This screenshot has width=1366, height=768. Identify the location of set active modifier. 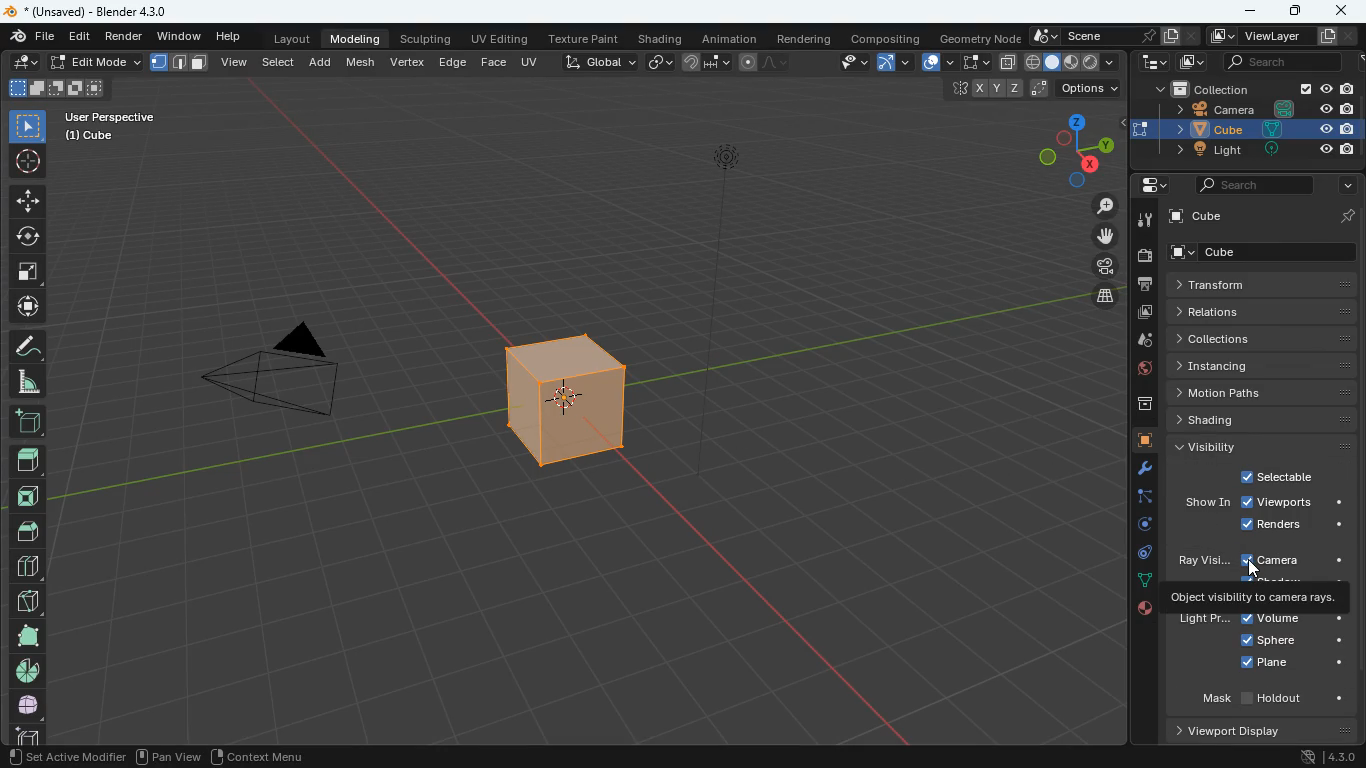
(64, 755).